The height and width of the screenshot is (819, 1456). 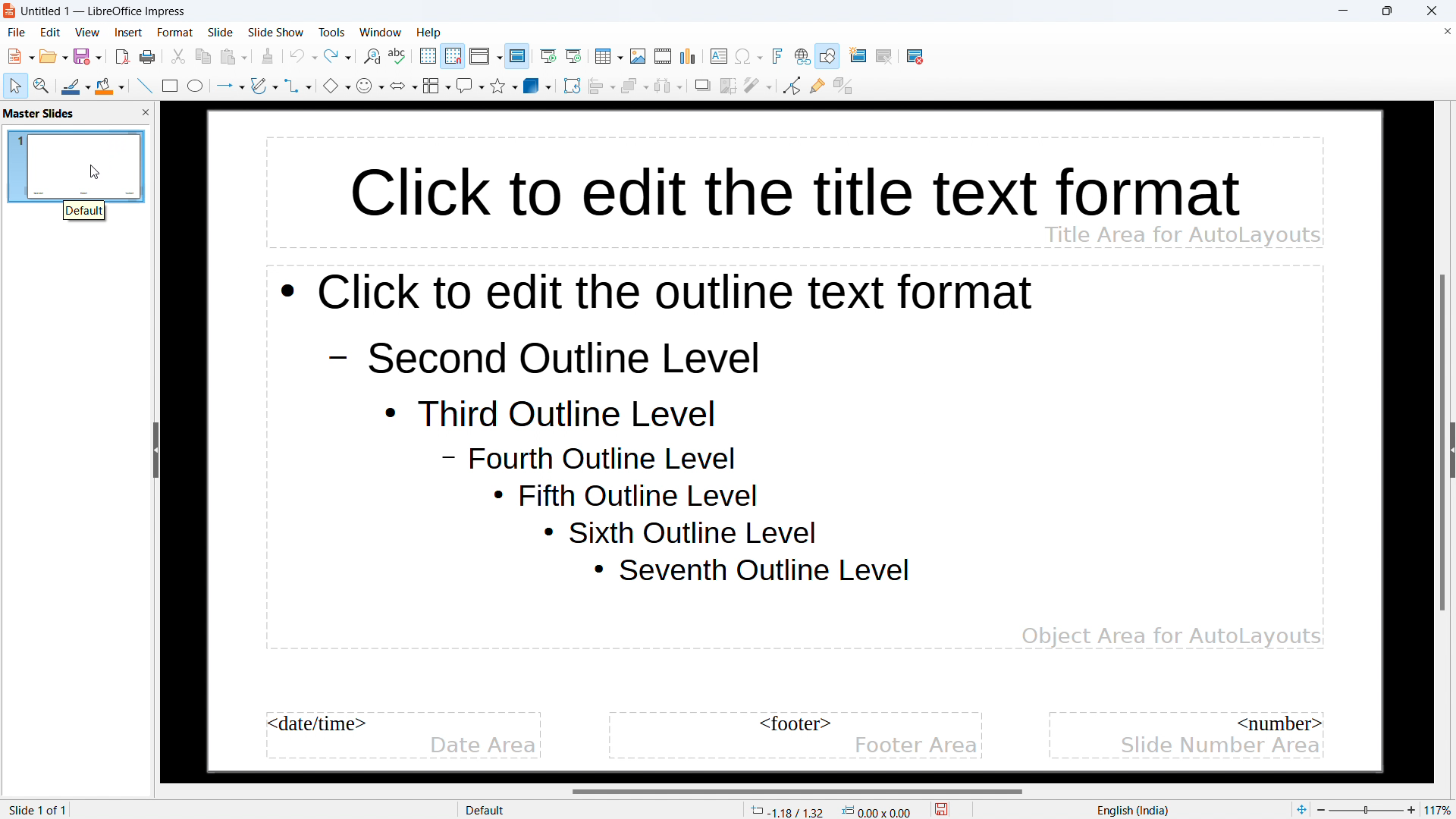 I want to click on footer area, so click(x=917, y=745).